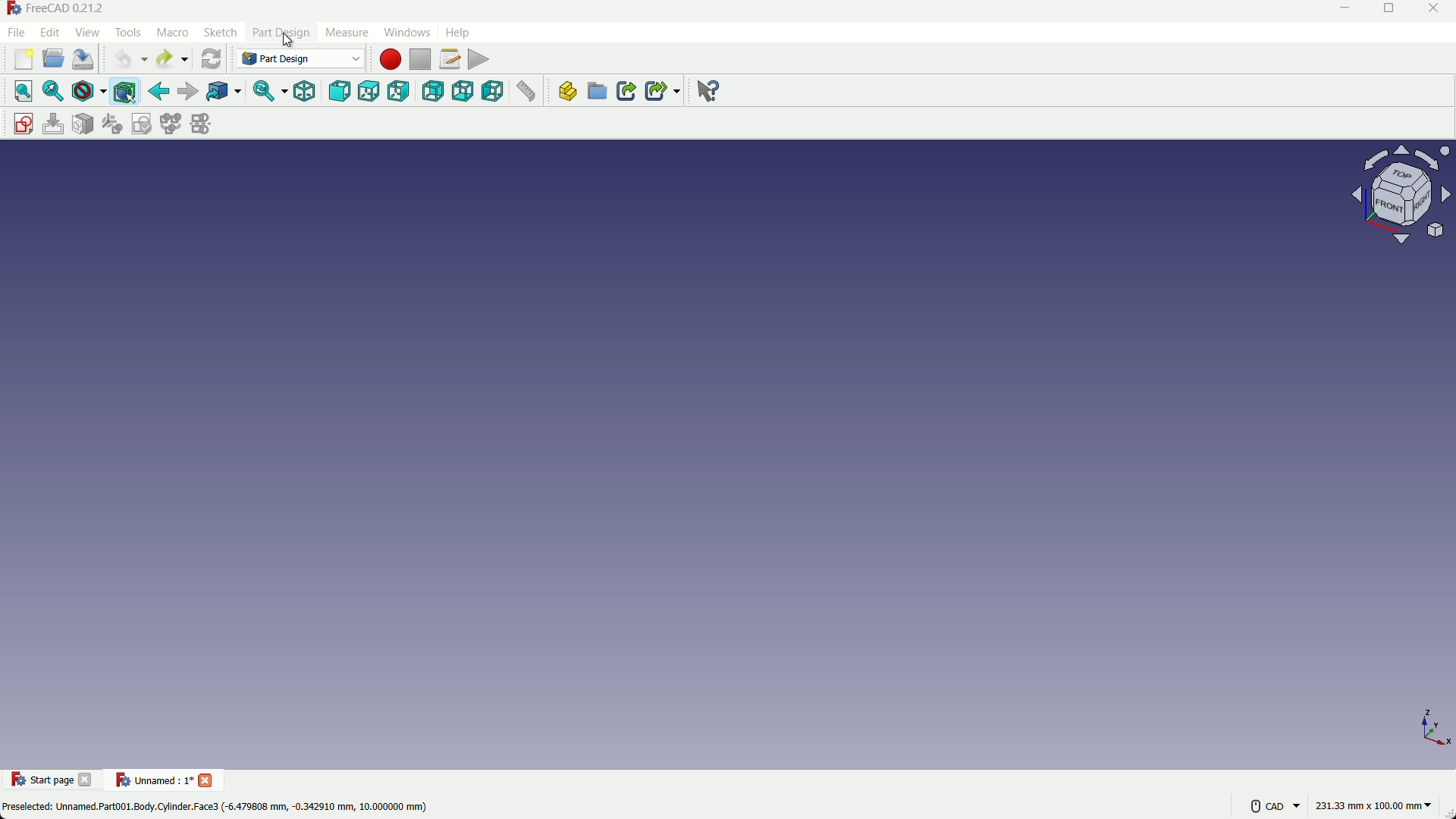 This screenshot has height=819, width=1456. What do you see at coordinates (1262, 803) in the screenshot?
I see `more settings` at bounding box center [1262, 803].